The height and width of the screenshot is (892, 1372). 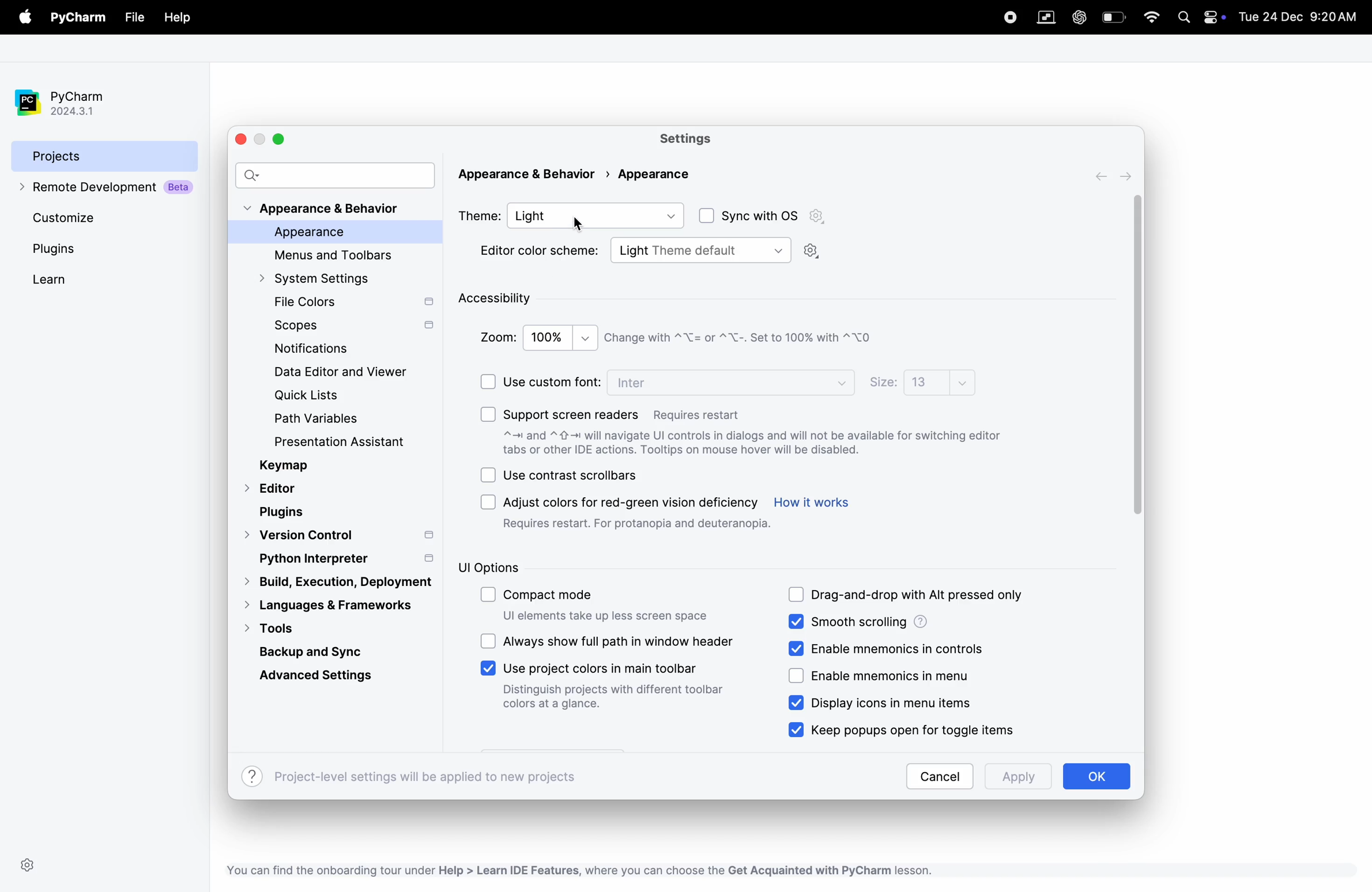 I want to click on zoom, so click(x=497, y=338).